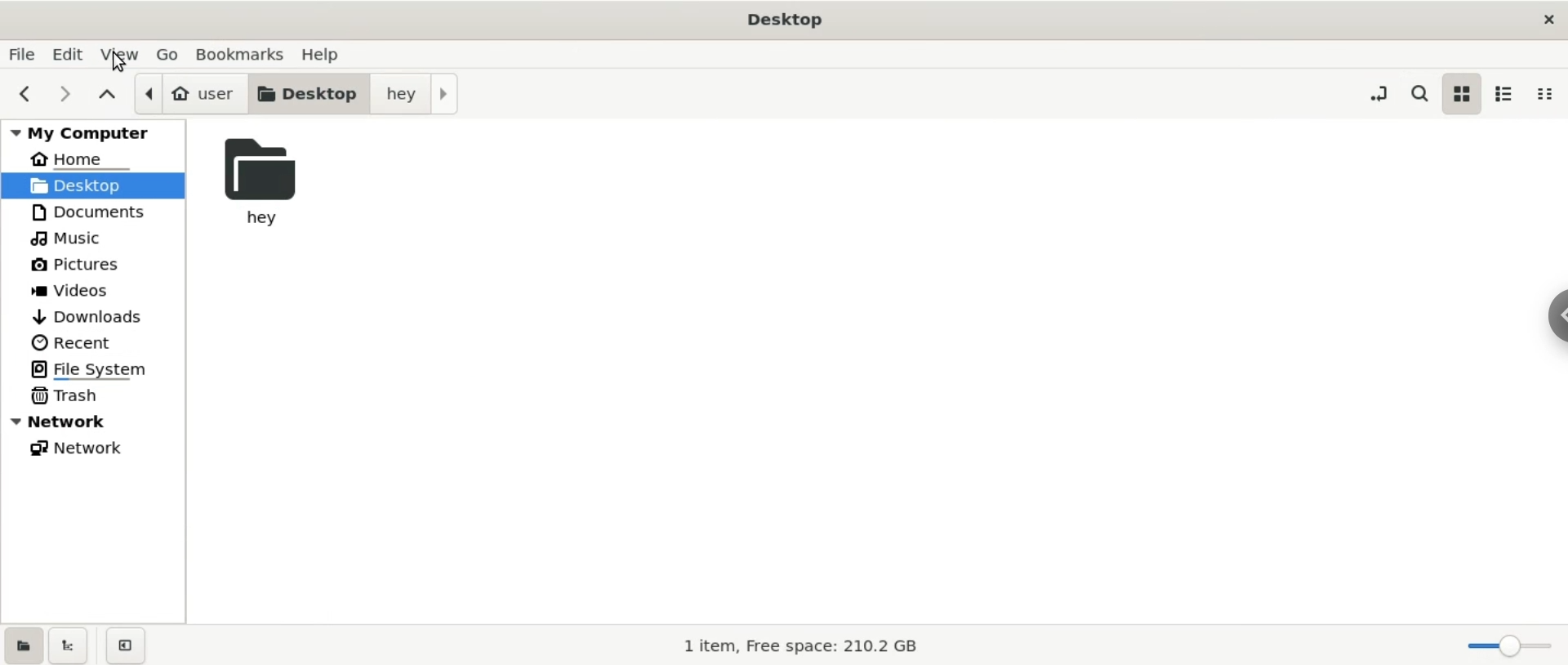 Image resolution: width=1568 pixels, height=665 pixels. What do you see at coordinates (100, 214) in the screenshot?
I see `documents` at bounding box center [100, 214].